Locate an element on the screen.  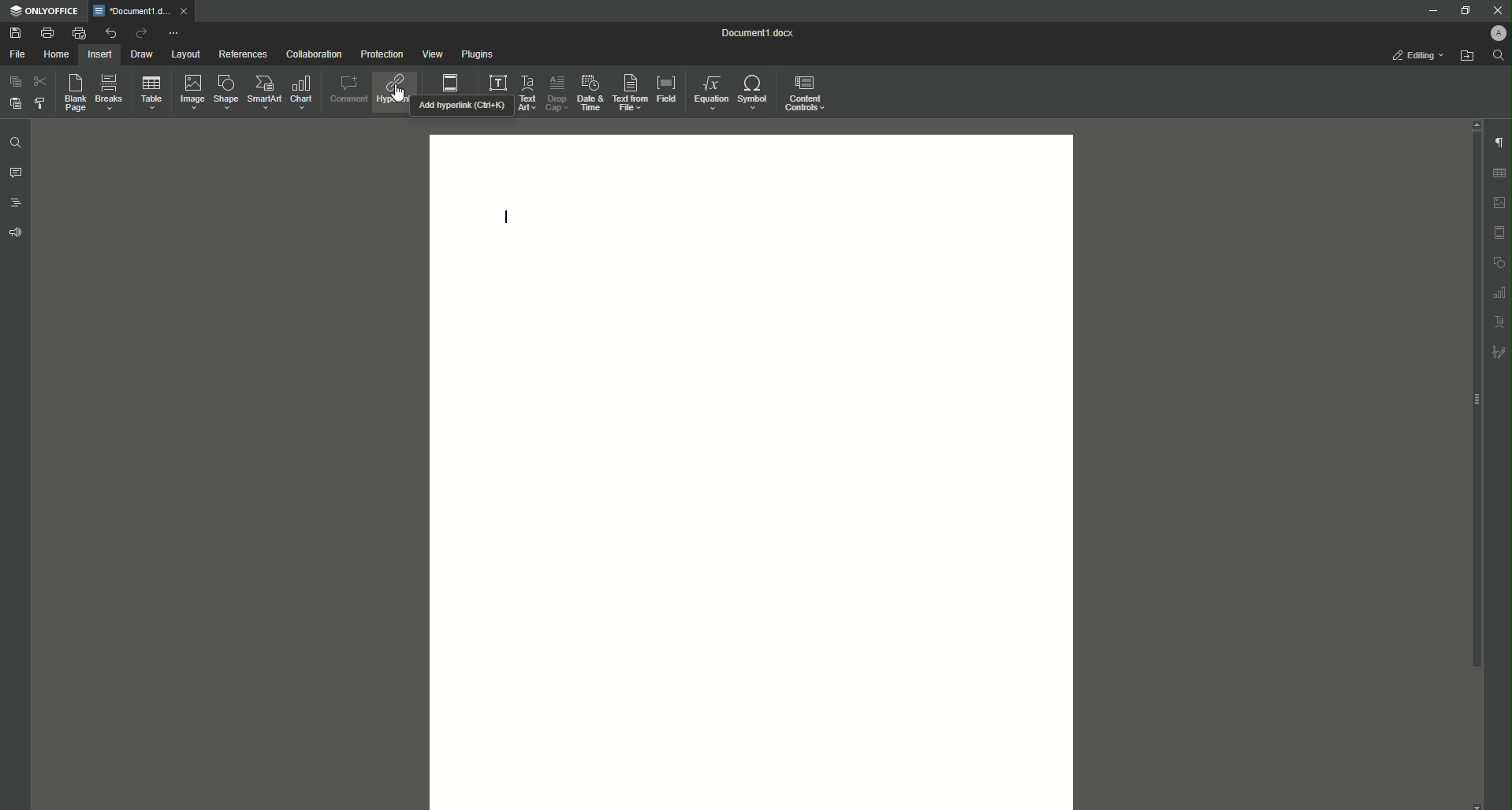
Imgae settings is located at coordinates (1500, 203).